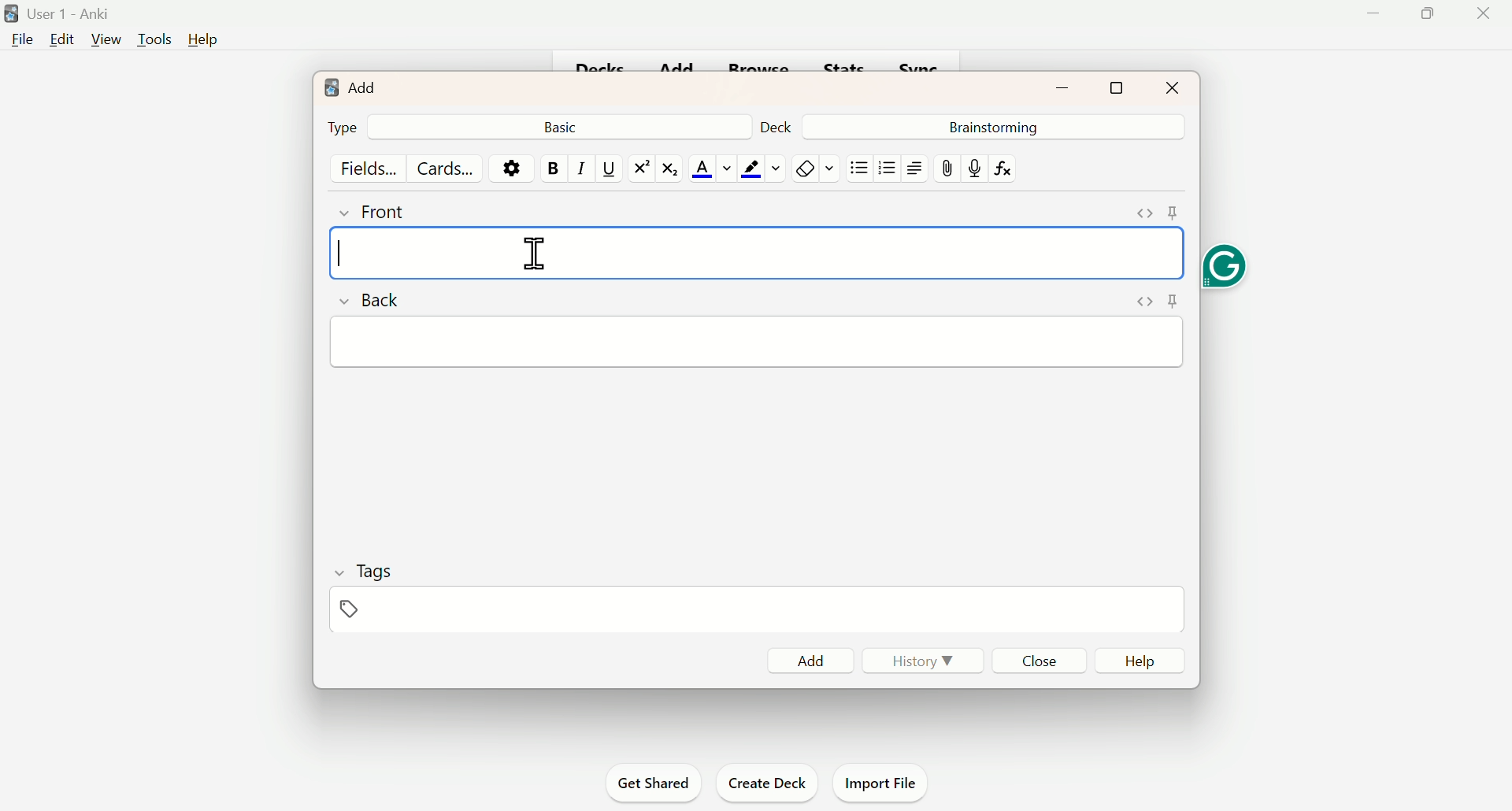  What do you see at coordinates (24, 39) in the screenshot?
I see `` at bounding box center [24, 39].